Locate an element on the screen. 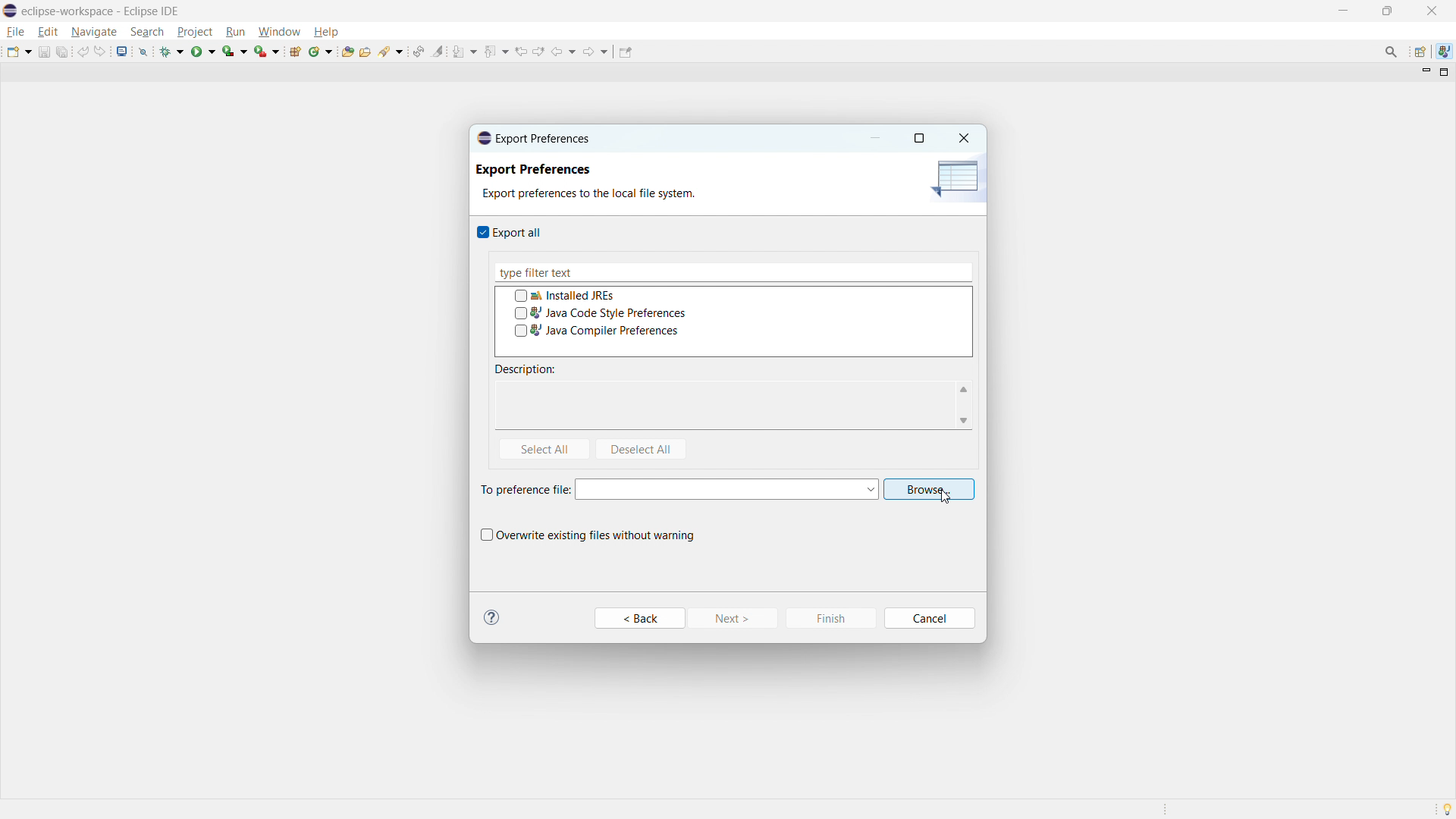 The height and width of the screenshot is (819, 1456). overwrite existing files without warning is located at coordinates (588, 535).